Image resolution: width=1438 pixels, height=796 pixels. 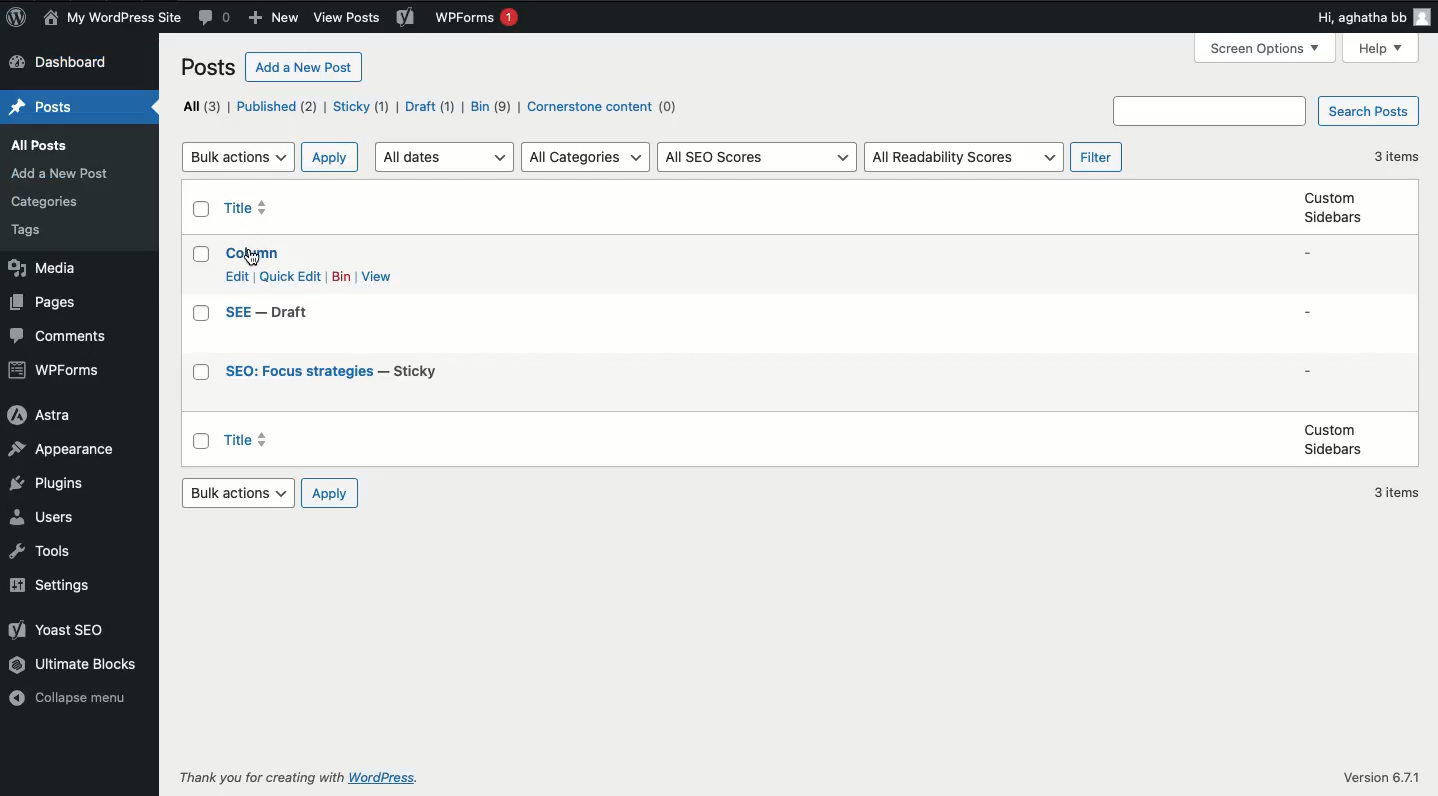 I want to click on Comments, so click(x=58, y=336).